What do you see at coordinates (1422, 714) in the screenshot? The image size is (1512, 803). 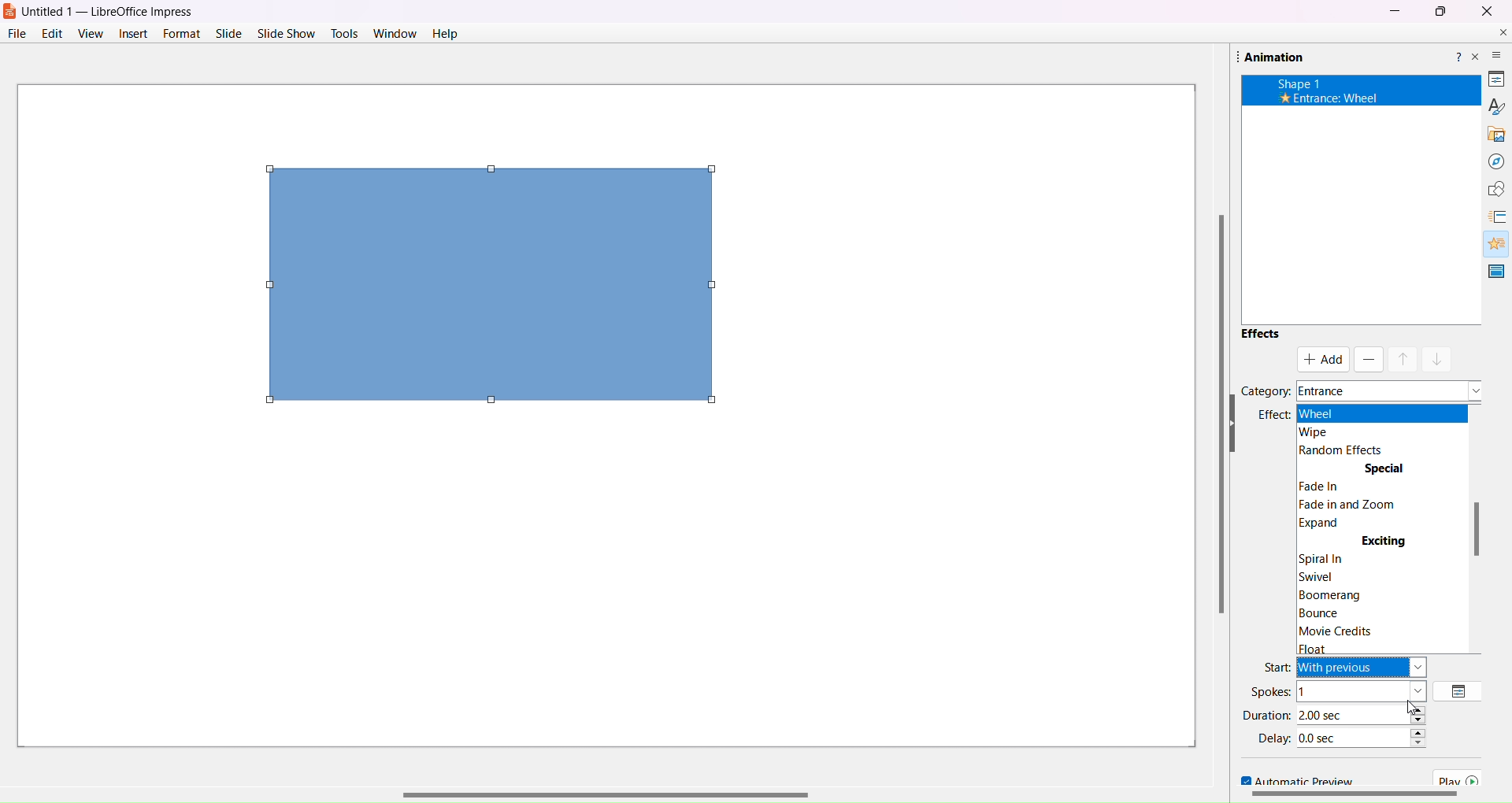 I see `Duration increase/decrease` at bounding box center [1422, 714].